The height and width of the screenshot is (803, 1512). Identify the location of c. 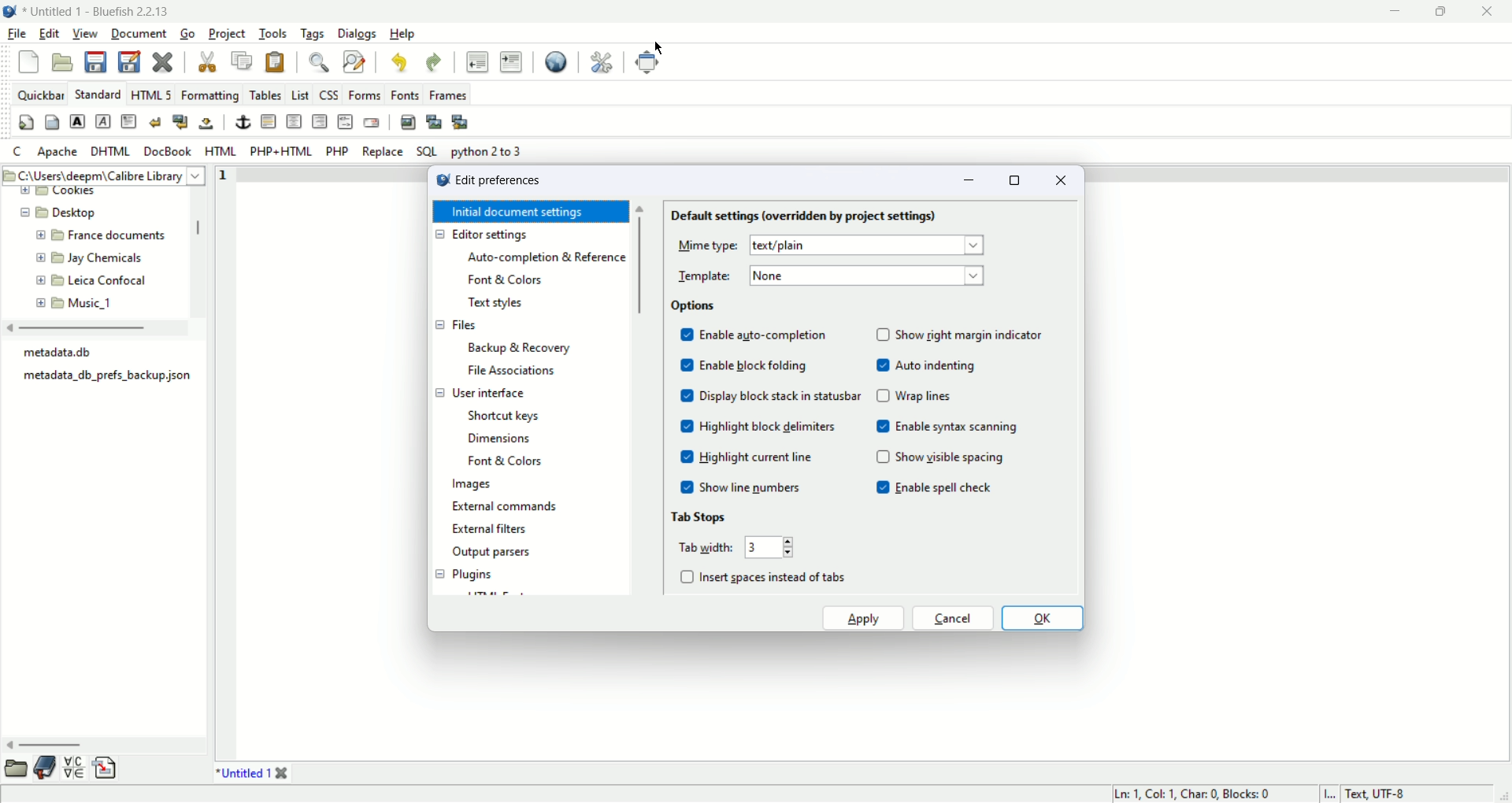
(17, 151).